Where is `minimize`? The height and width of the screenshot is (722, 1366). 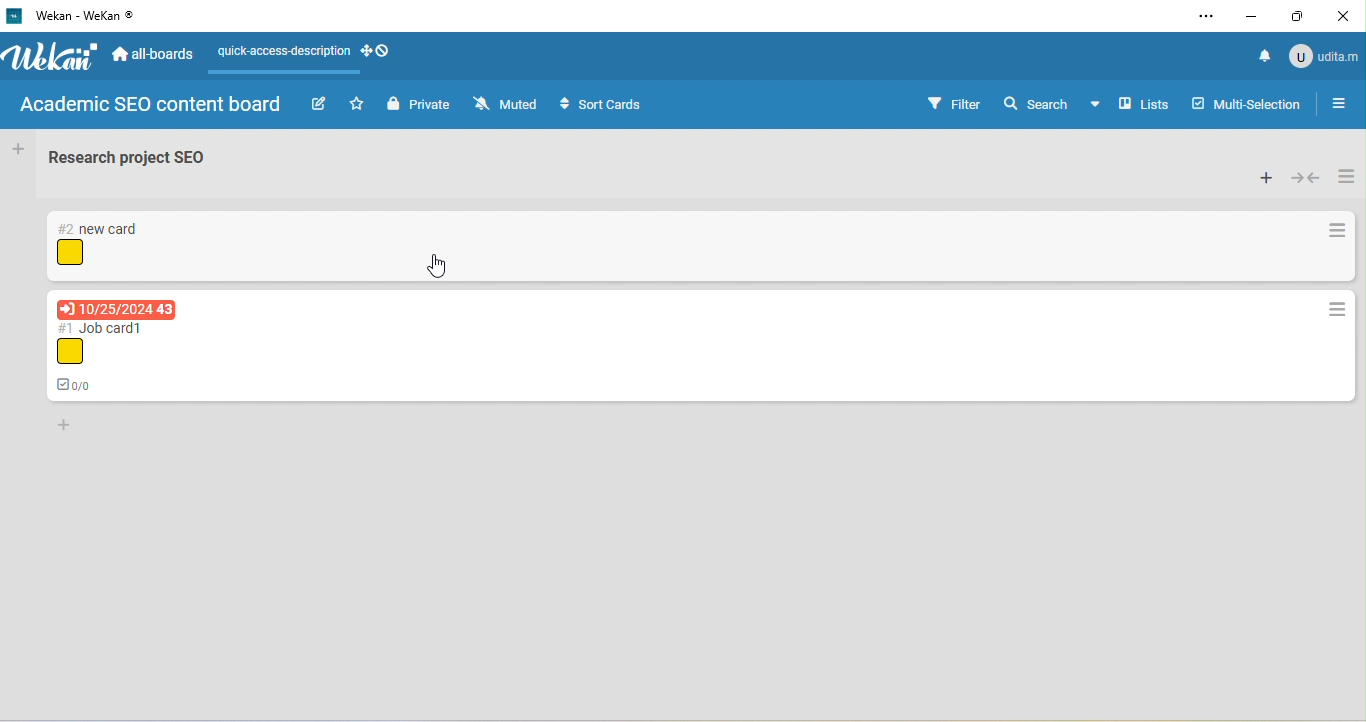 minimize is located at coordinates (1253, 17).